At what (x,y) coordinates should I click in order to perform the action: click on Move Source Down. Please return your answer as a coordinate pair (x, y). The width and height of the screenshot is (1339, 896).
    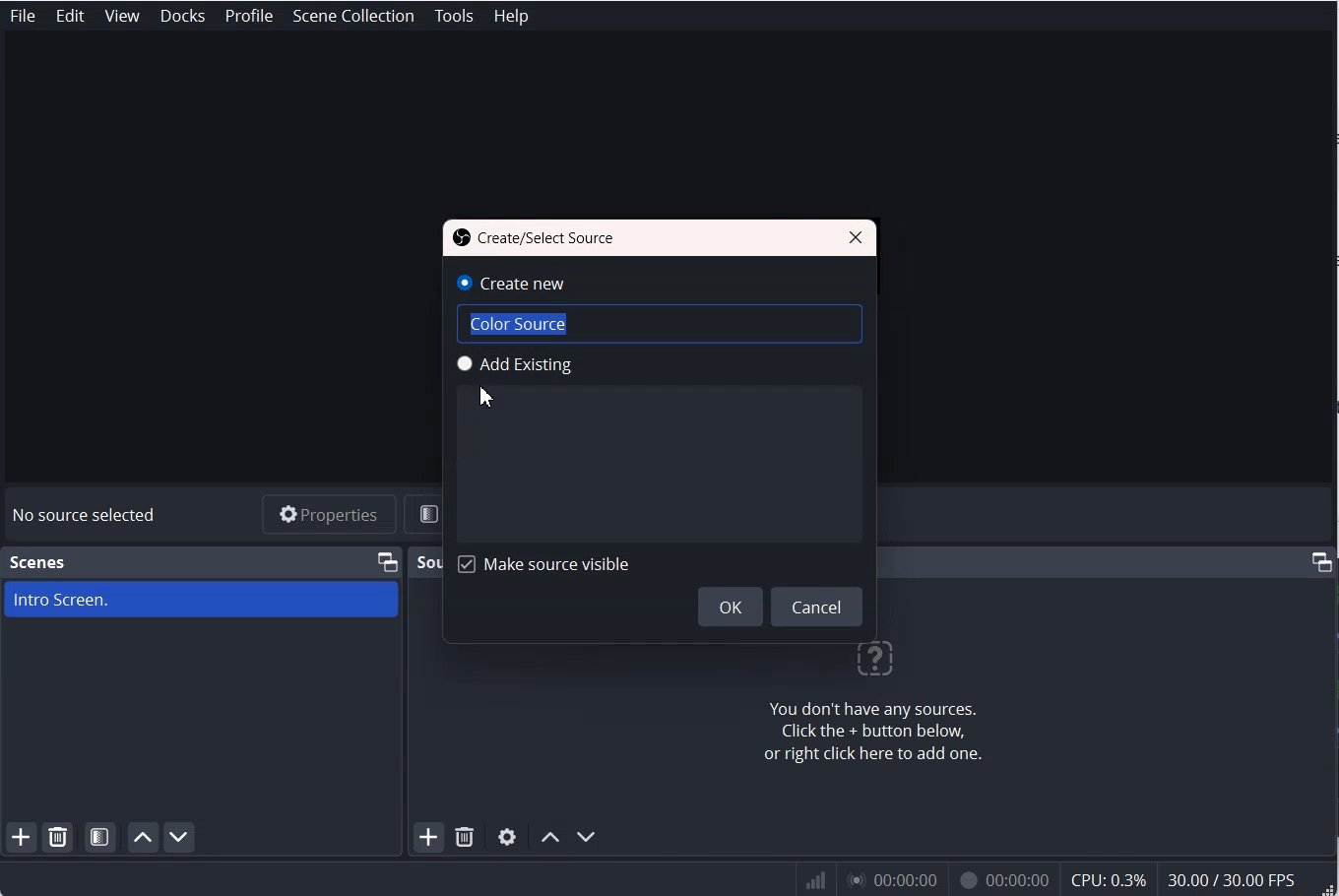
    Looking at the image, I should click on (587, 837).